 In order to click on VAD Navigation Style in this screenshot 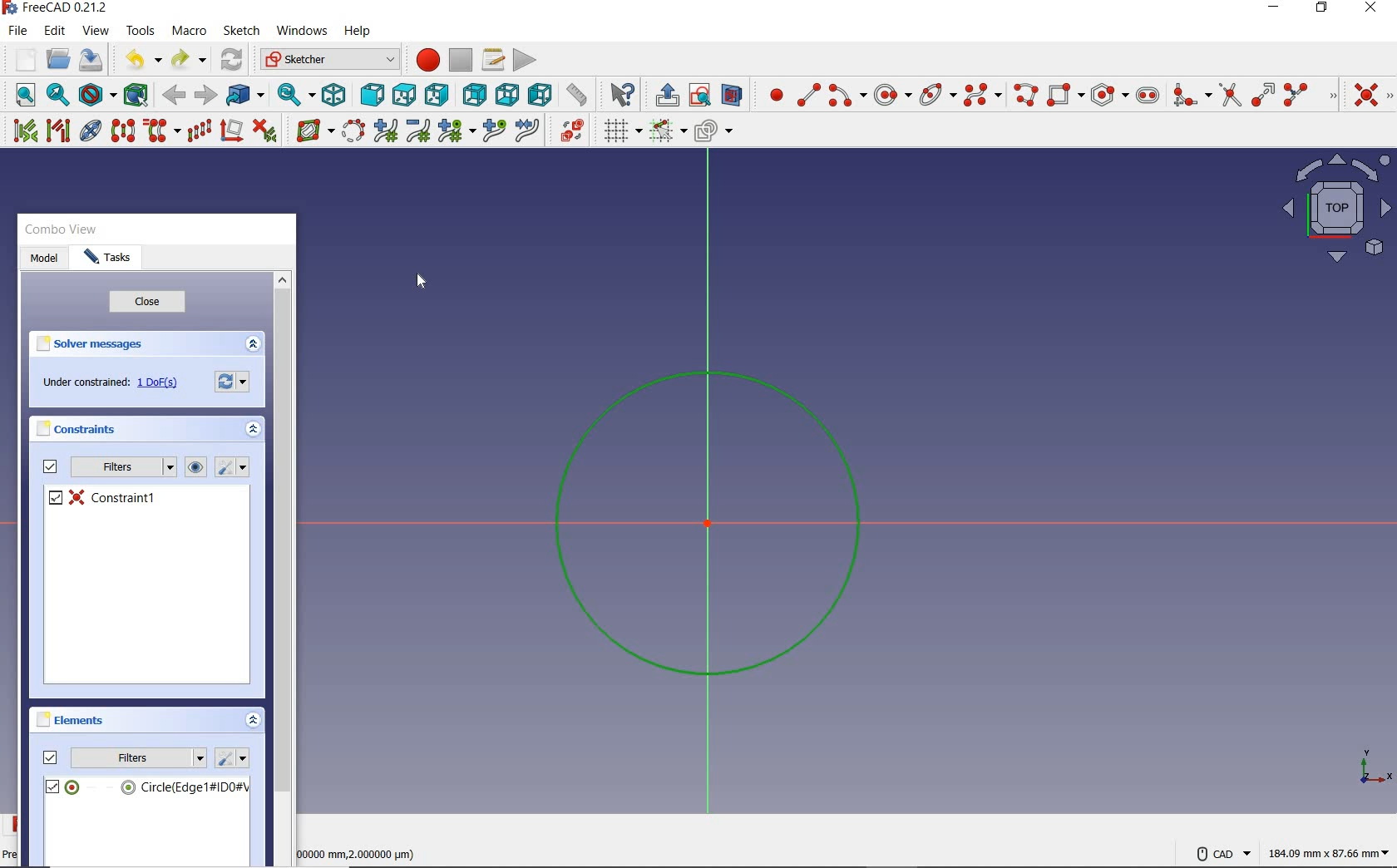, I will do `click(1217, 855)`.